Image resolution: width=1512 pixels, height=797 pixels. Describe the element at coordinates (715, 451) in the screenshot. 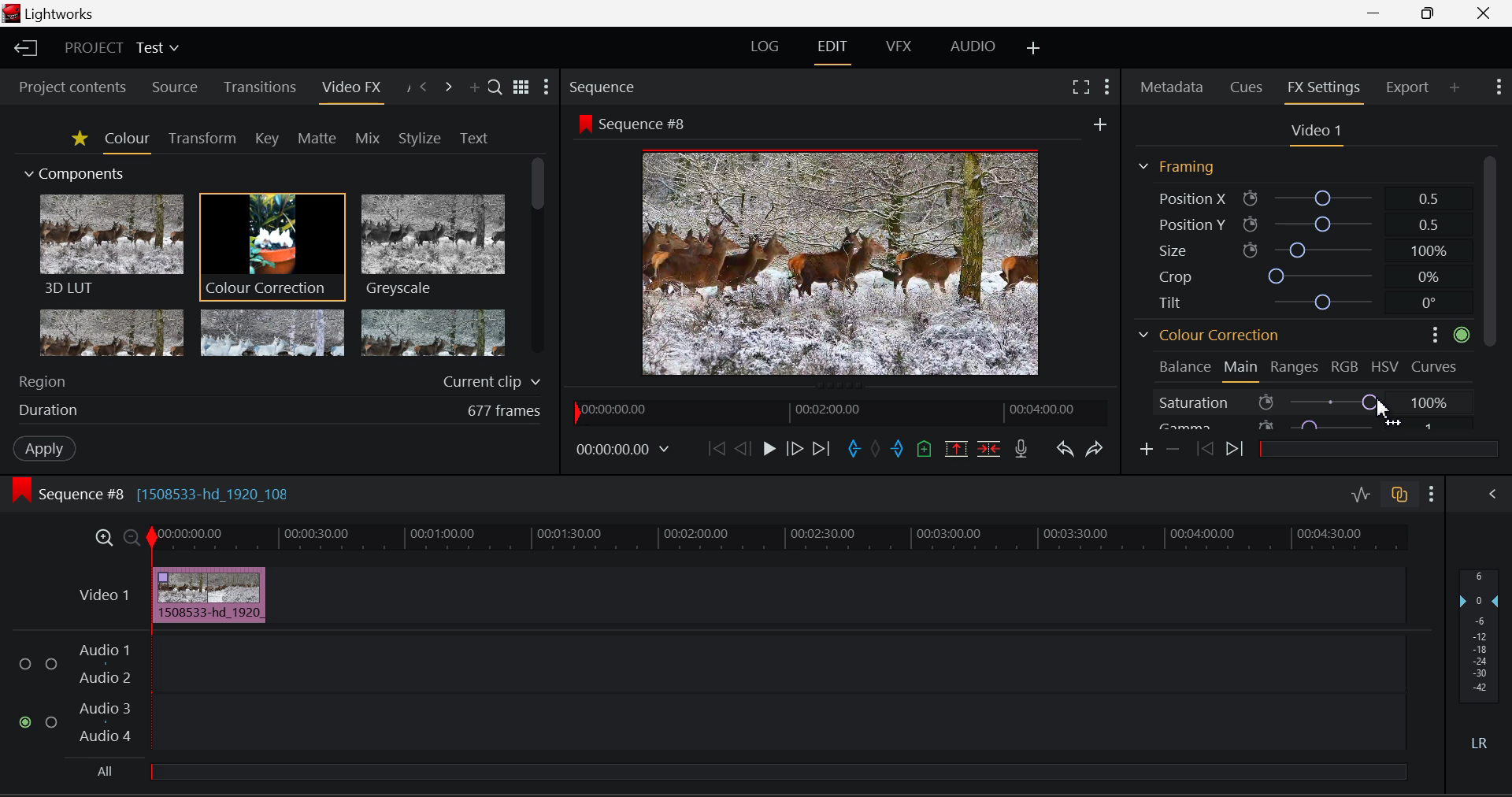

I see `To Start` at that location.